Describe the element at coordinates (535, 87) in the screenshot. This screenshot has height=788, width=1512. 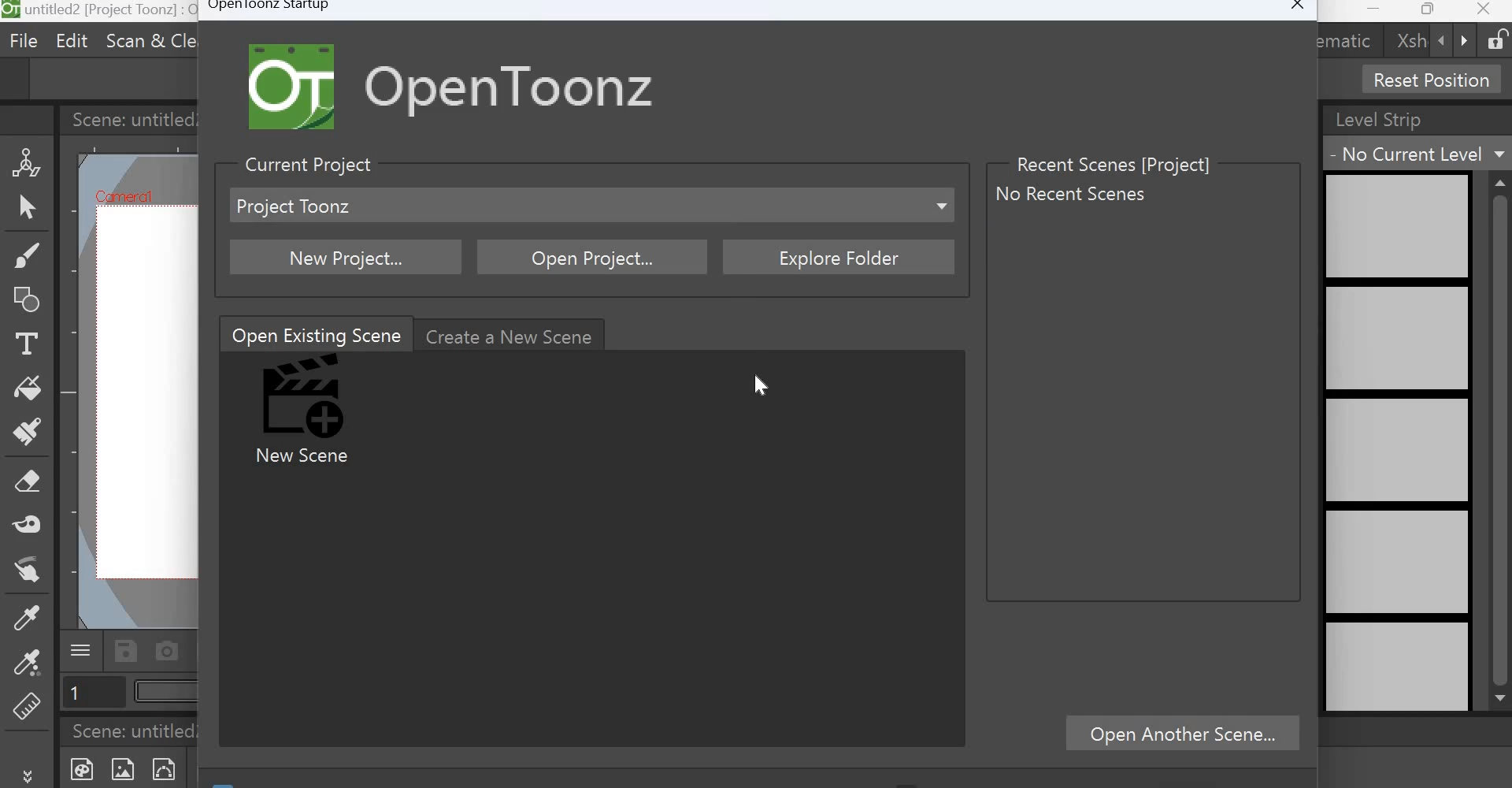
I see `Open Toonz` at that location.